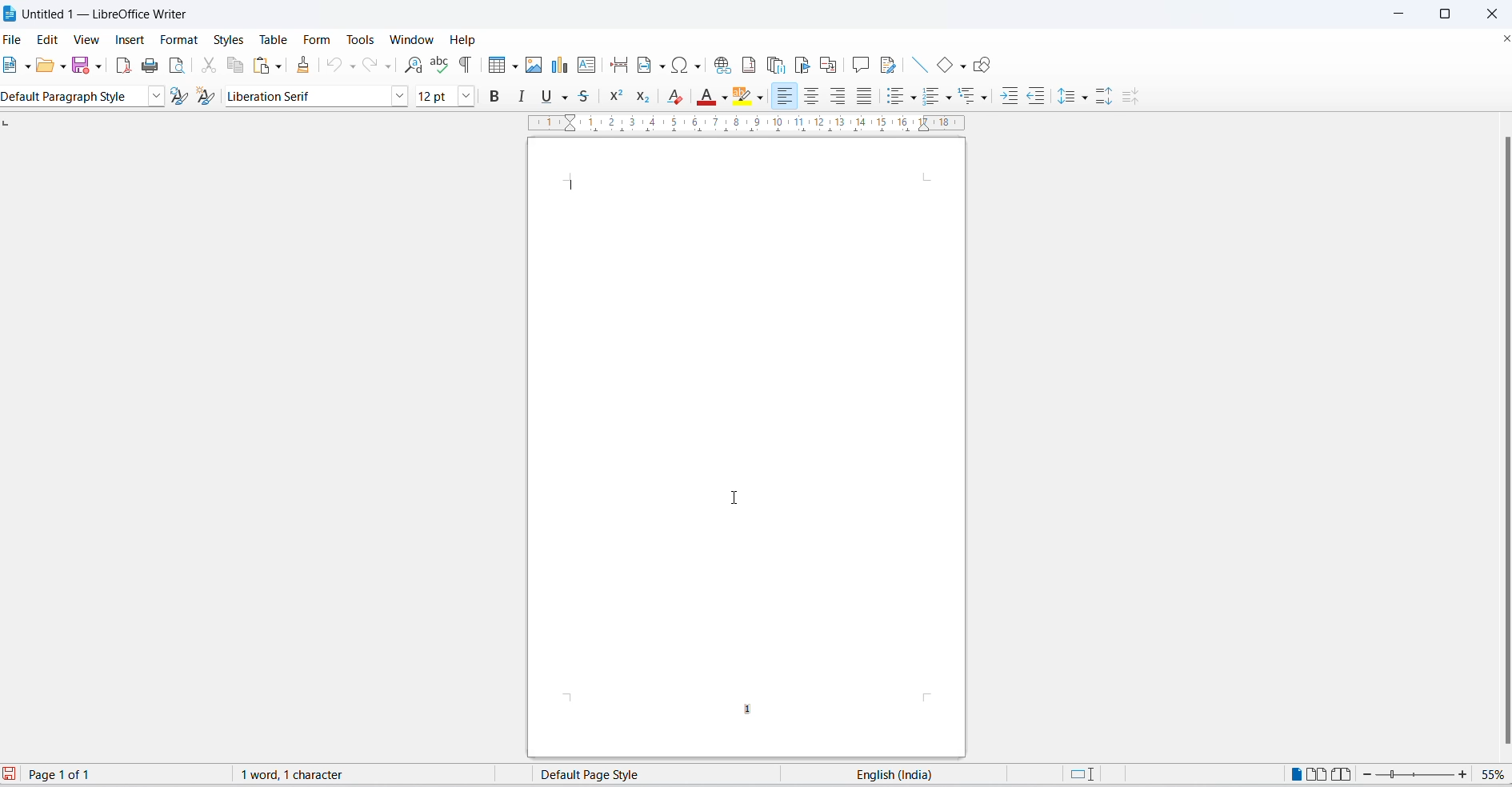 The image size is (1512, 787). What do you see at coordinates (862, 64) in the screenshot?
I see `insert comments` at bounding box center [862, 64].